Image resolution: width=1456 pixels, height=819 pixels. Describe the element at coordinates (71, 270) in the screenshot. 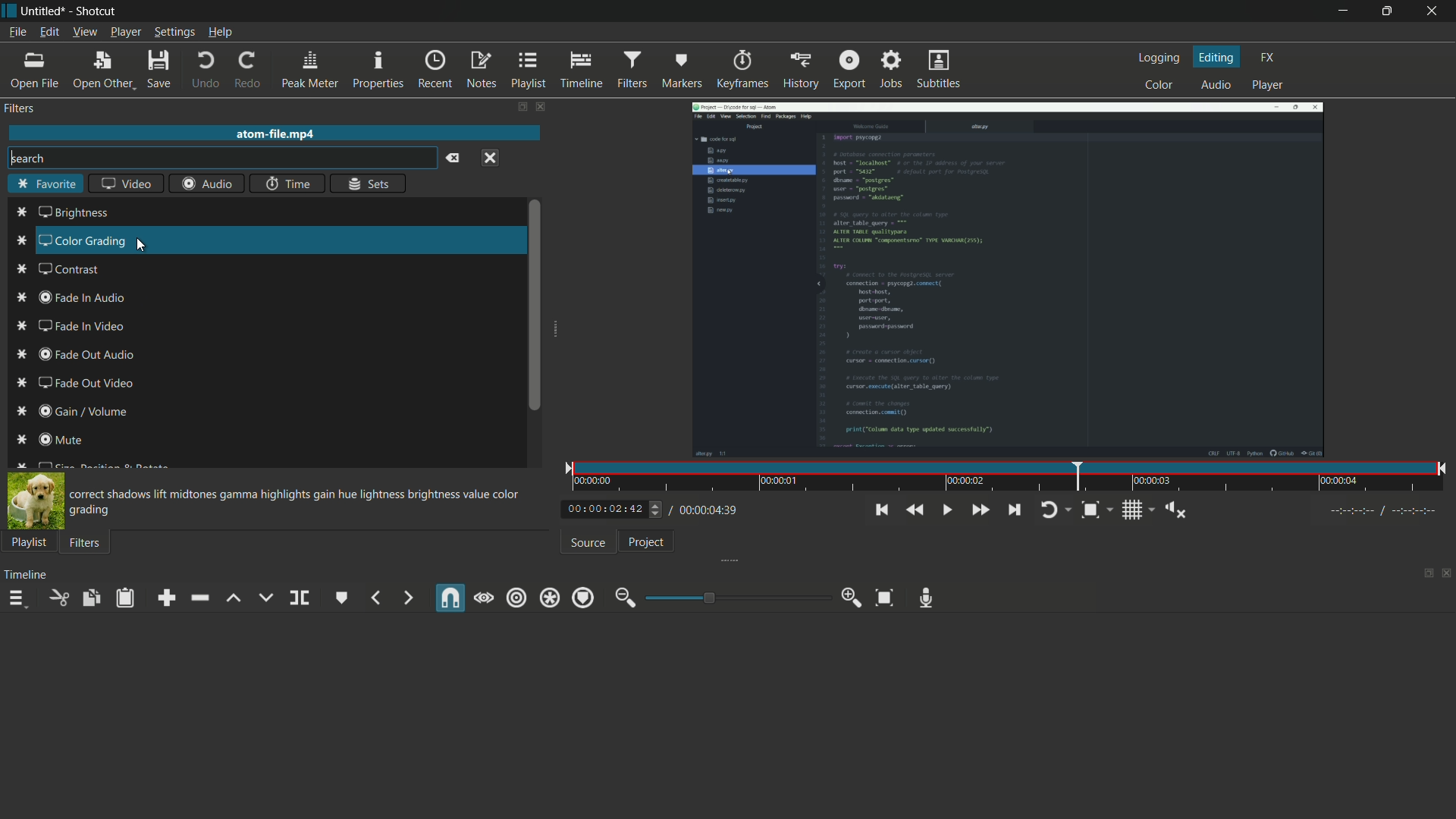

I see `contrast` at that location.